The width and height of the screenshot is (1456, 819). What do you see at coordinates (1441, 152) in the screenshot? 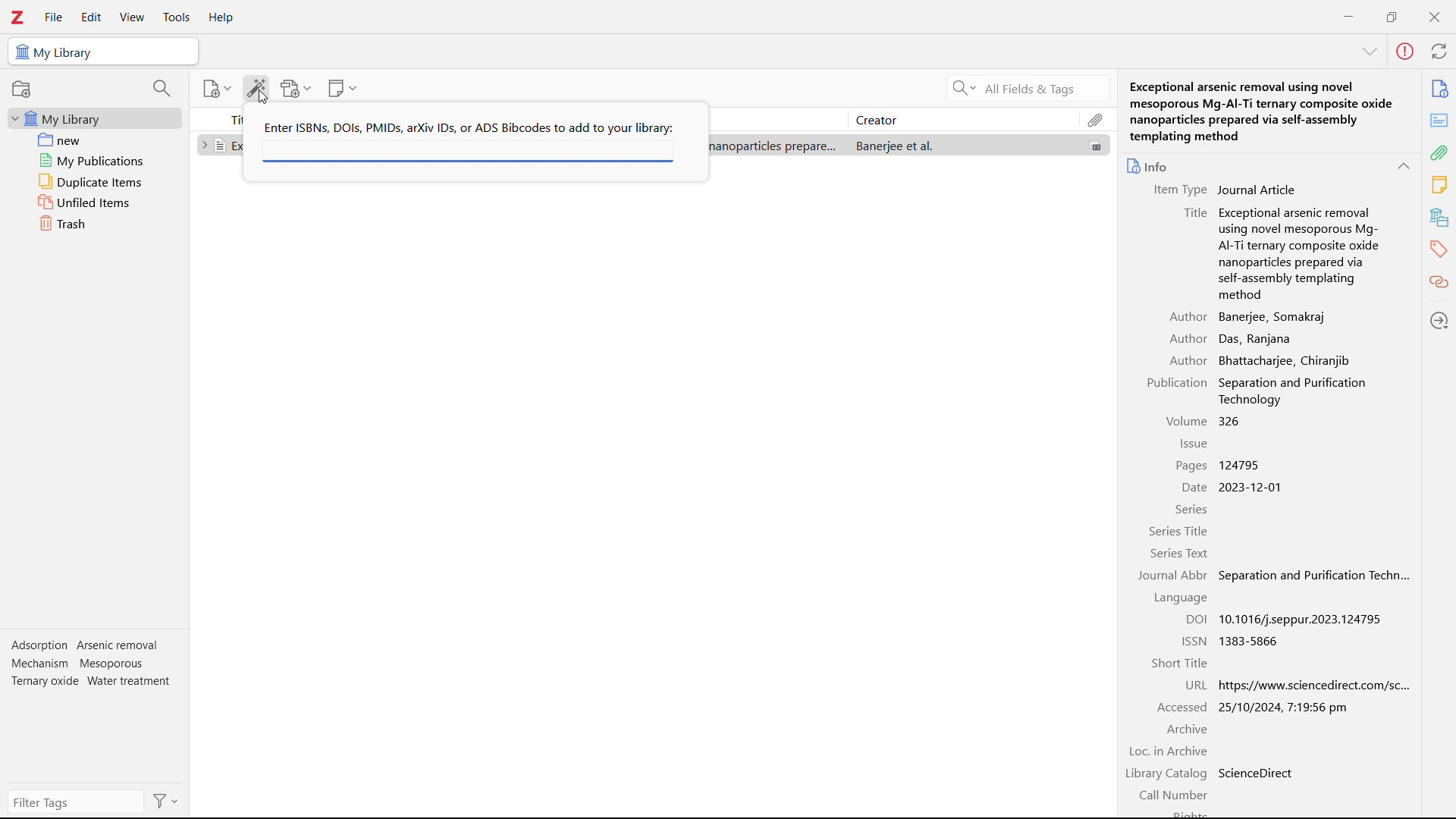
I see `attachments` at bounding box center [1441, 152].